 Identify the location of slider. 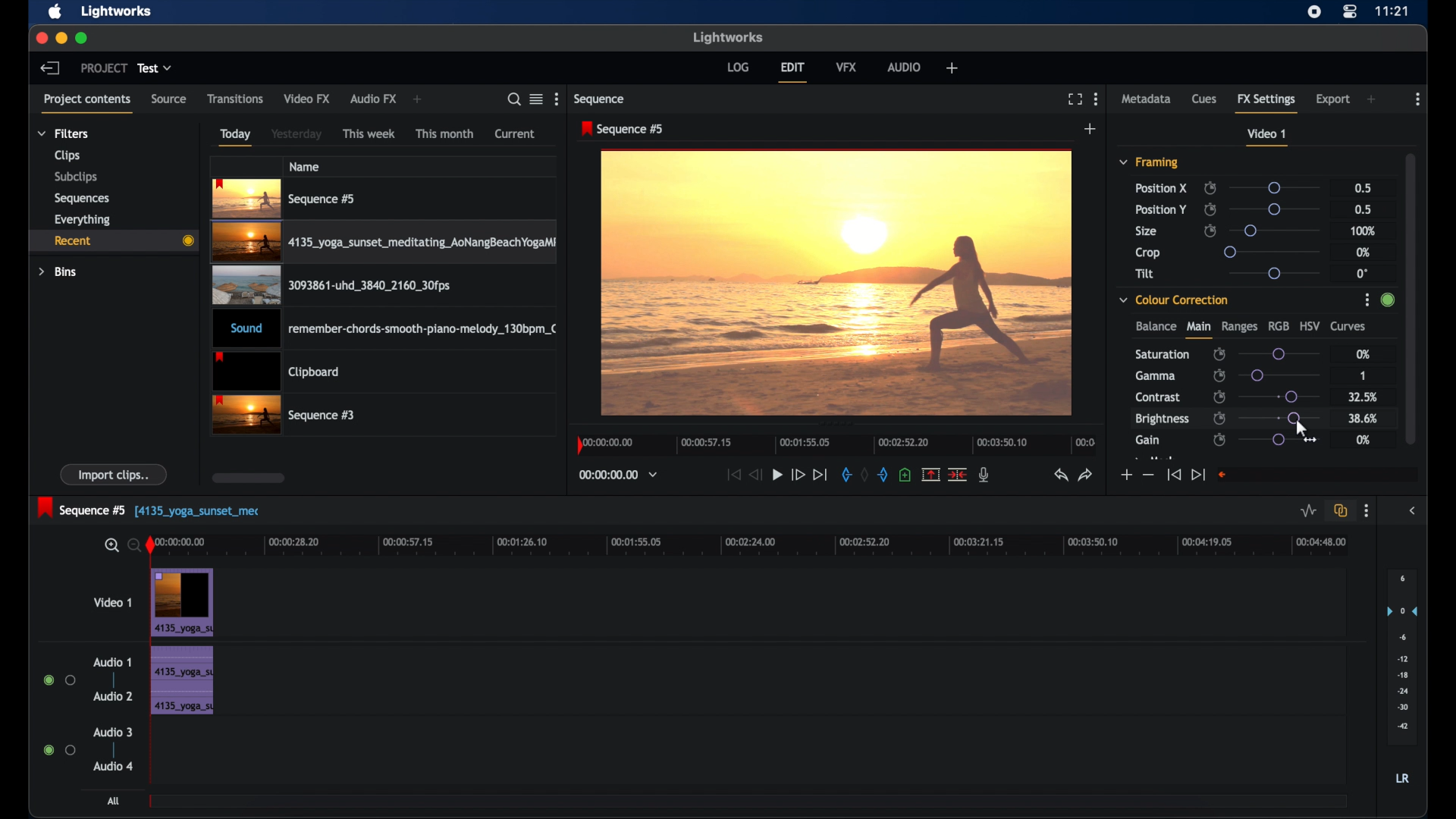
(1269, 252).